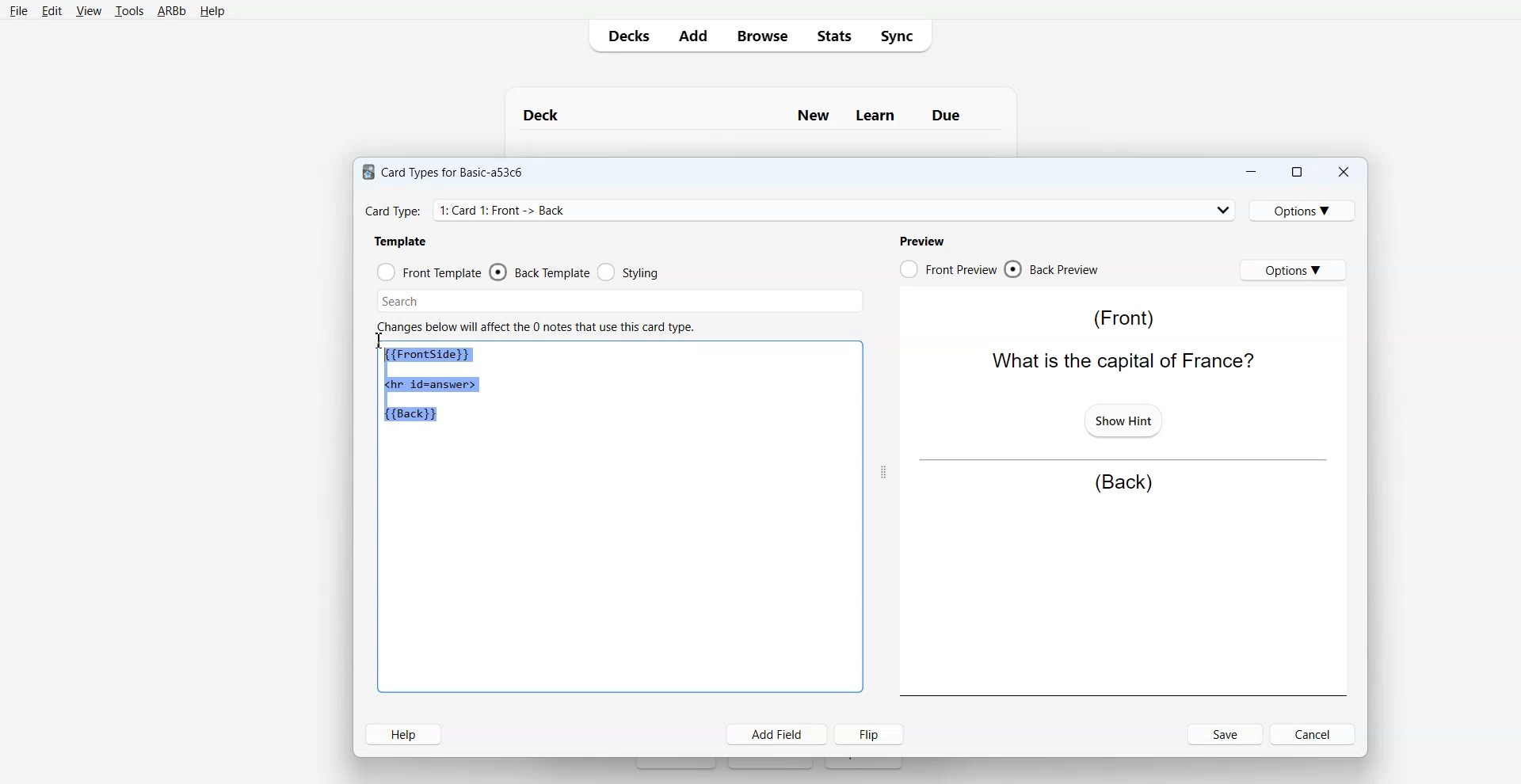  What do you see at coordinates (1226, 734) in the screenshot?
I see `Save` at bounding box center [1226, 734].